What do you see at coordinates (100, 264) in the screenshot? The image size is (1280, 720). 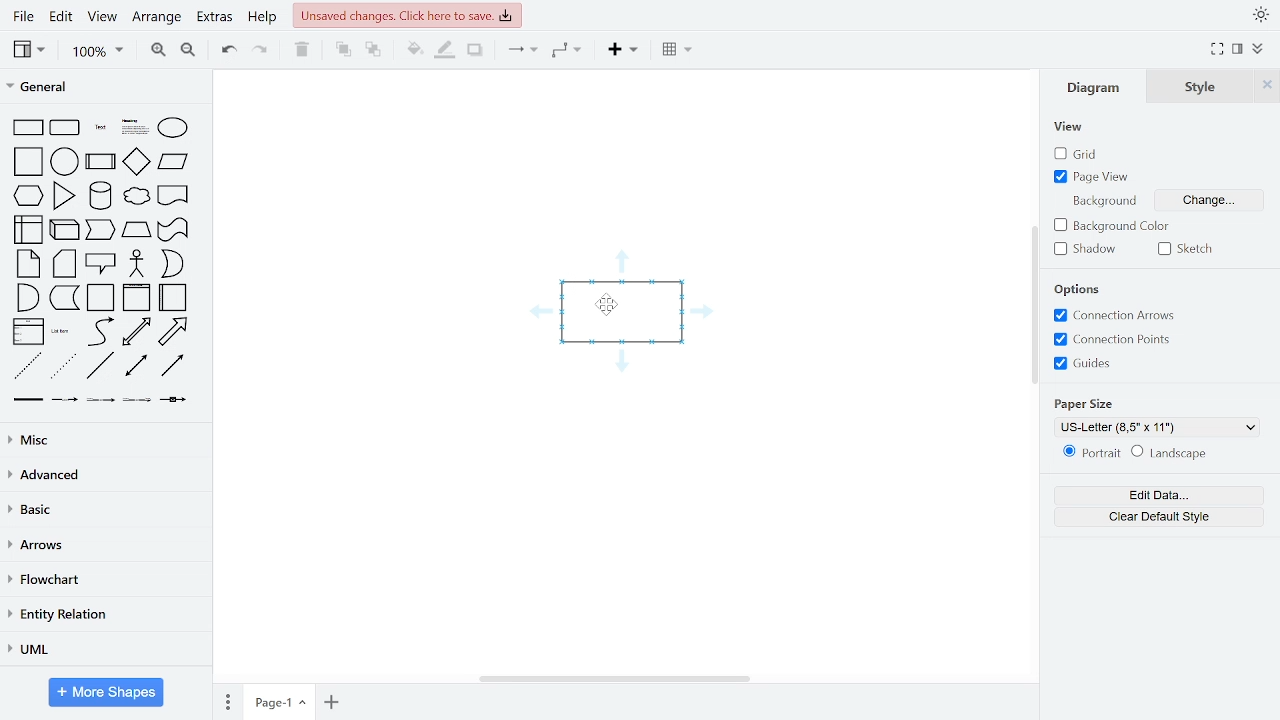 I see `callout` at bounding box center [100, 264].